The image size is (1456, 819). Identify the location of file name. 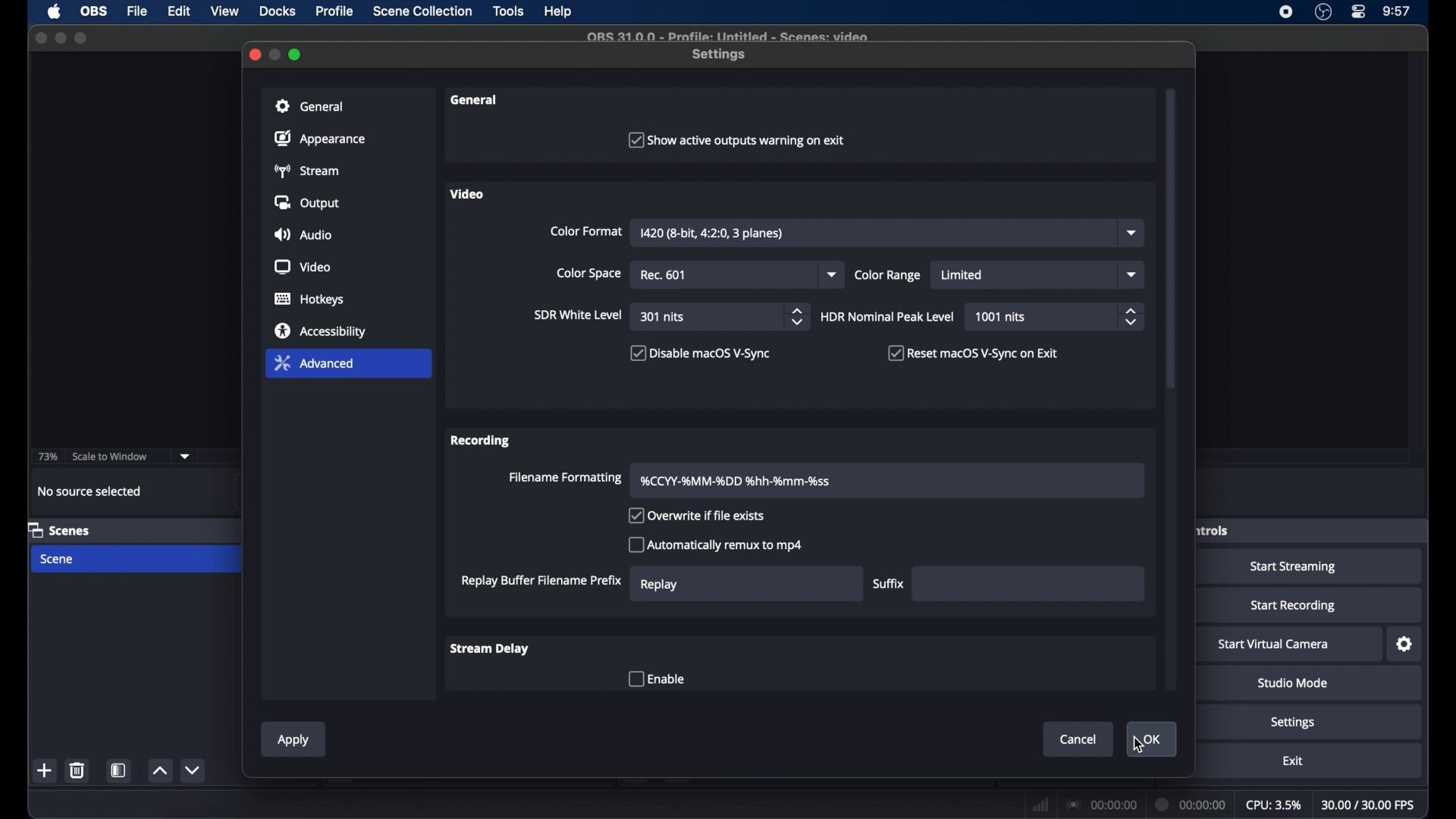
(730, 36).